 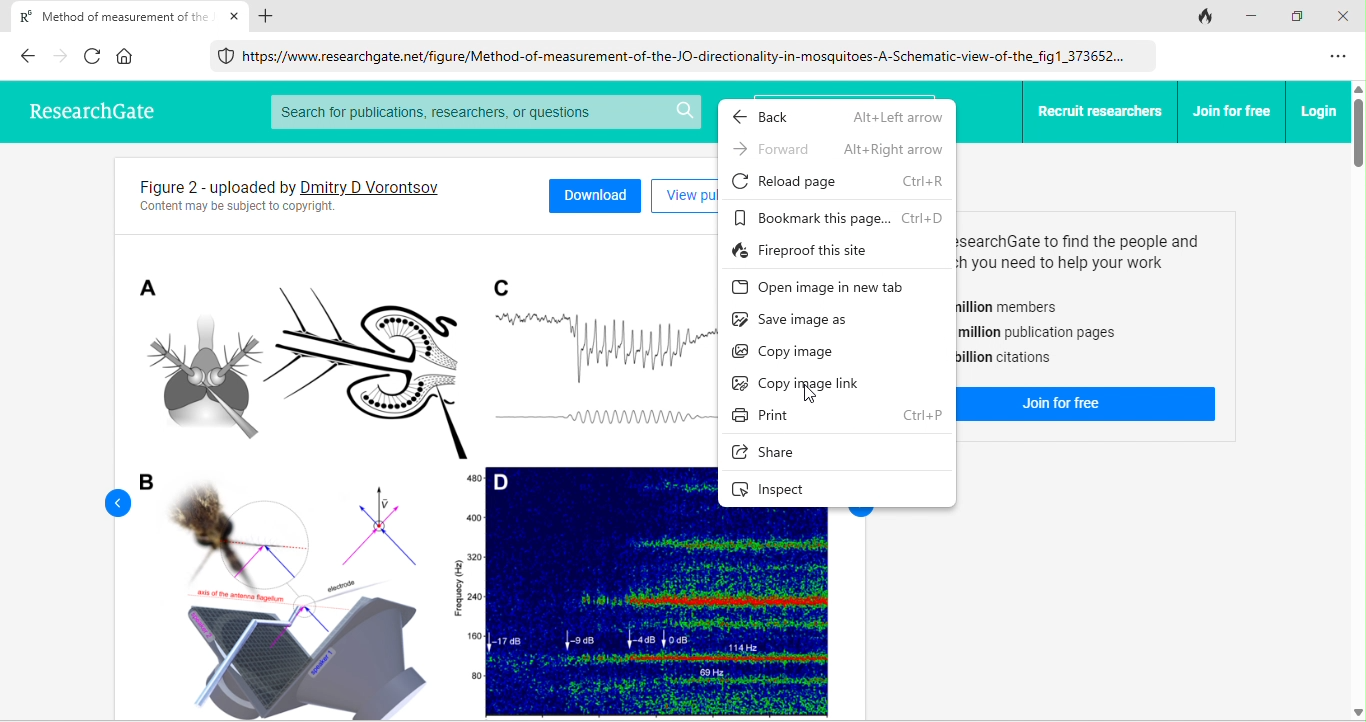 What do you see at coordinates (126, 56) in the screenshot?
I see `home` at bounding box center [126, 56].